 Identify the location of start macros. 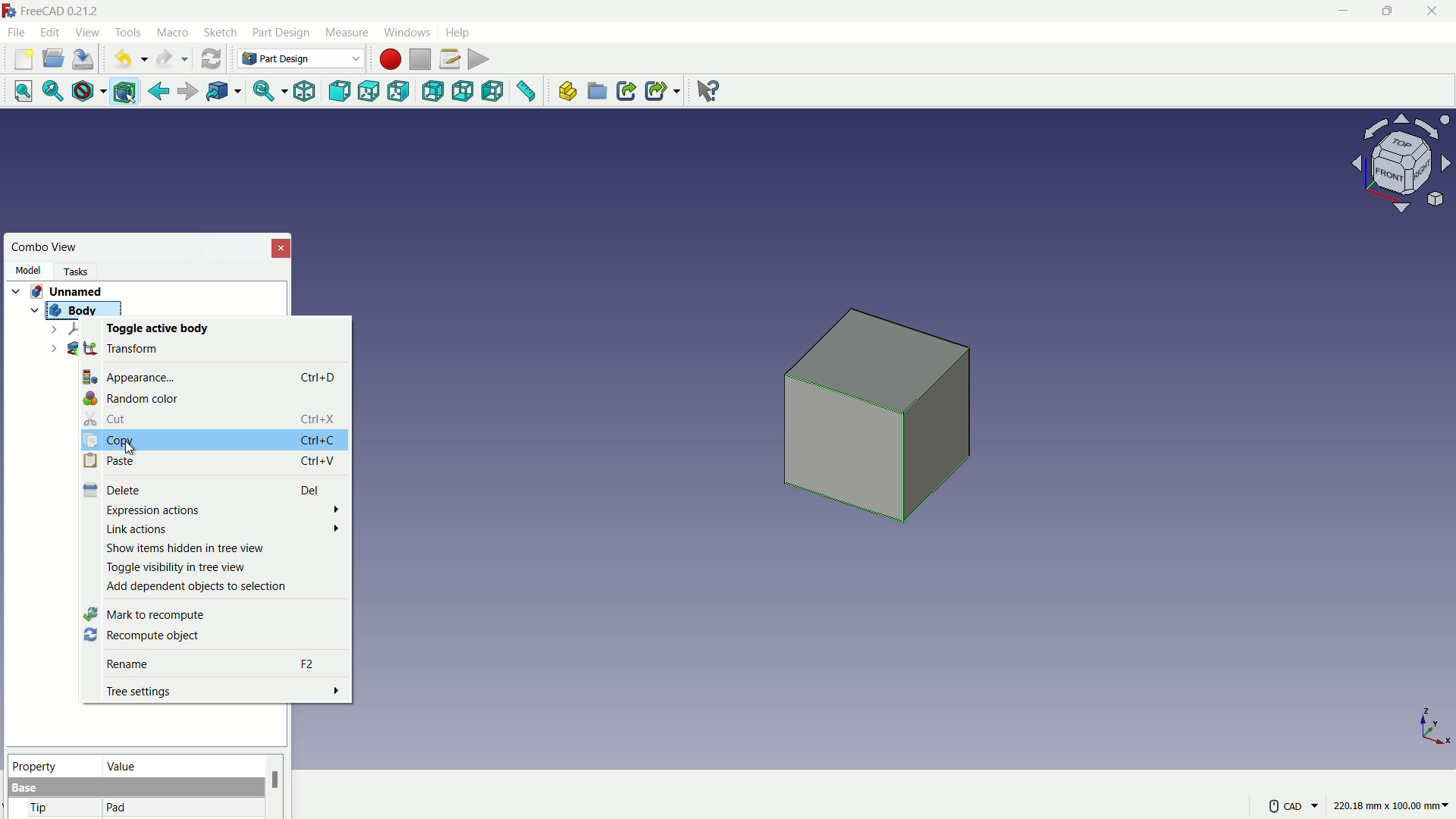
(389, 59).